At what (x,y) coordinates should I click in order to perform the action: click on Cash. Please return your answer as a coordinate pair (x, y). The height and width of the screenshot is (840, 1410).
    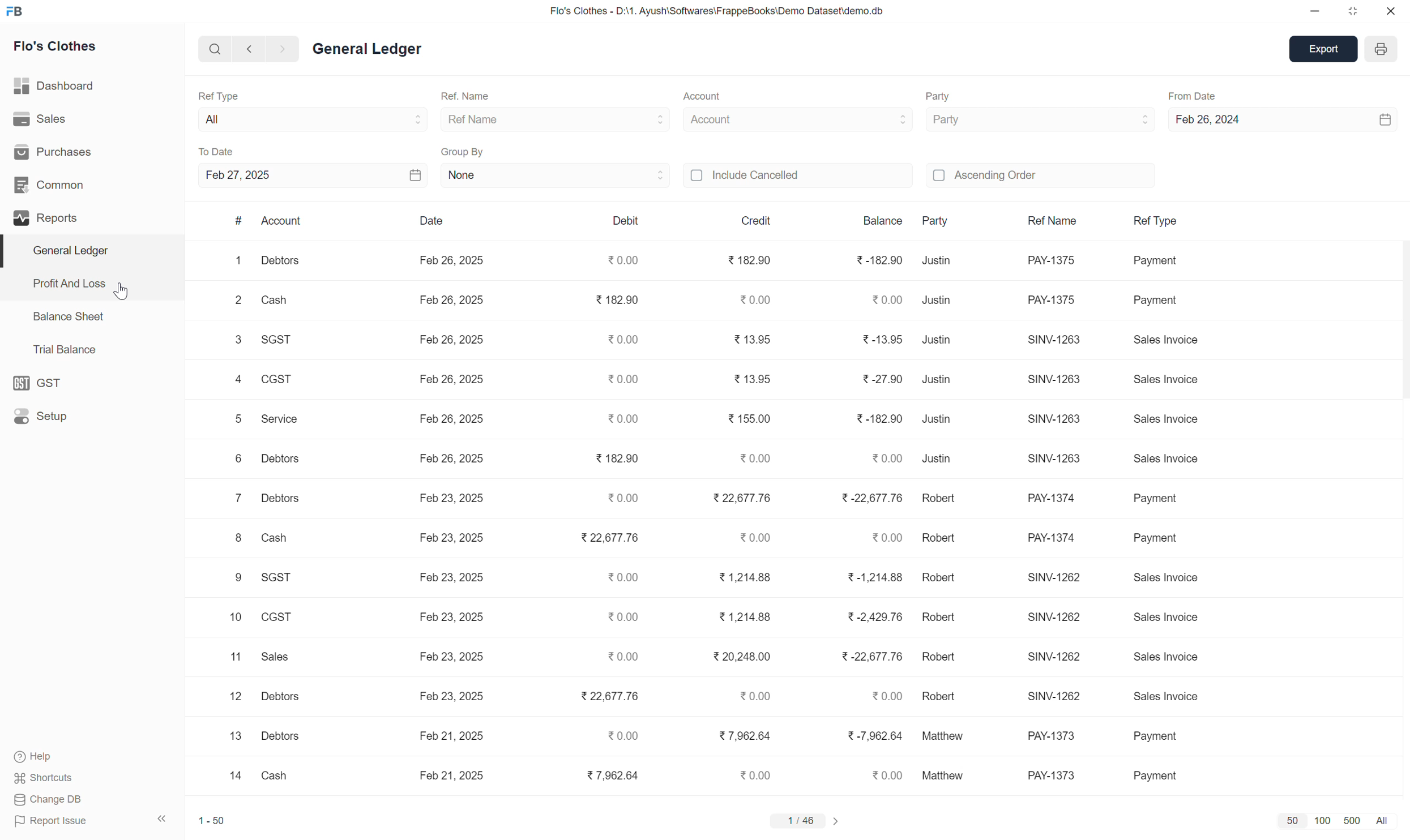
    Looking at the image, I should click on (271, 539).